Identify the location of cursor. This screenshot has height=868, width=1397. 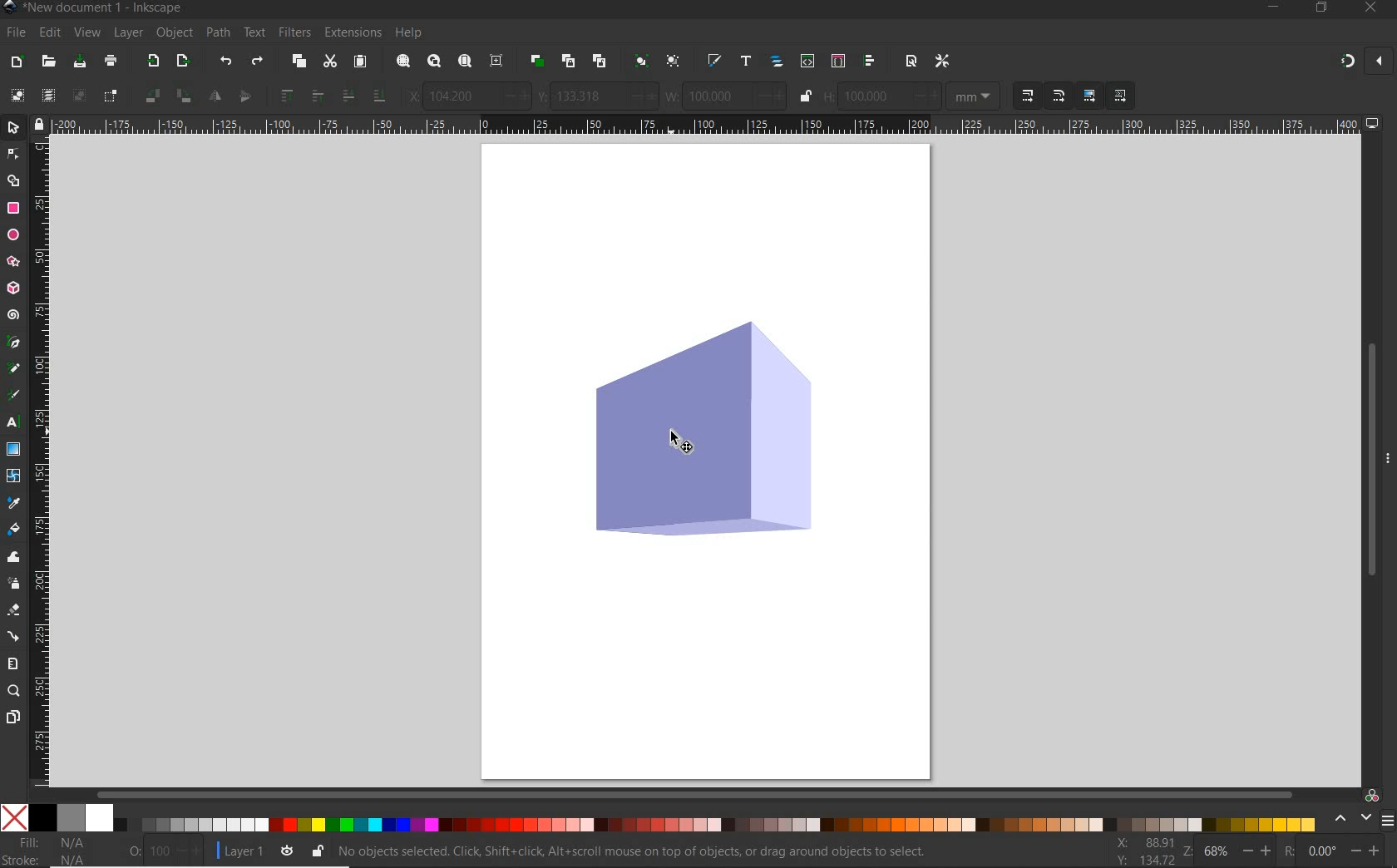
(674, 442).